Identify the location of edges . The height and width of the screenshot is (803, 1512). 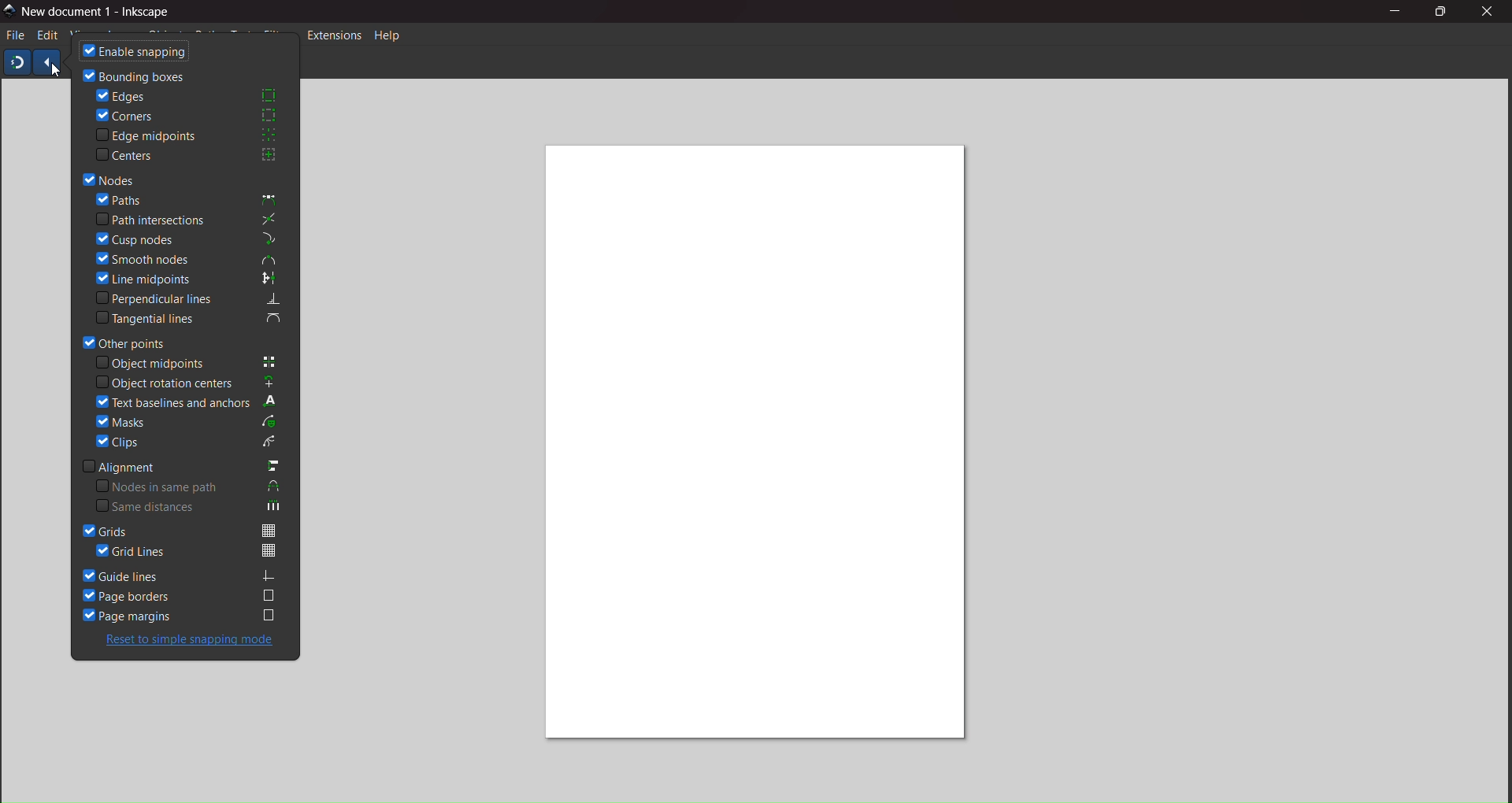
(187, 95).